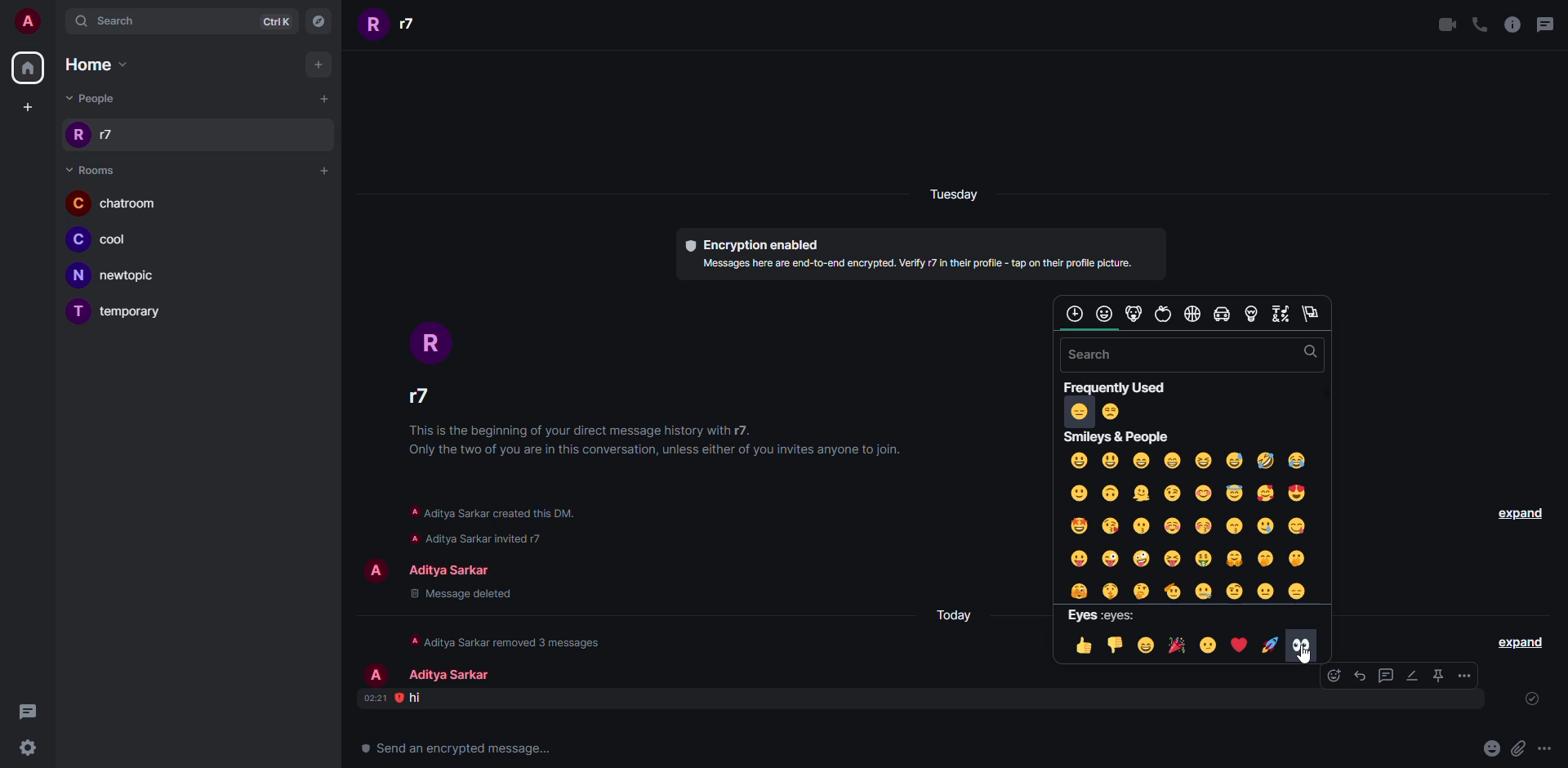 Image resolution: width=1568 pixels, height=768 pixels. I want to click on threads, so click(1549, 23).